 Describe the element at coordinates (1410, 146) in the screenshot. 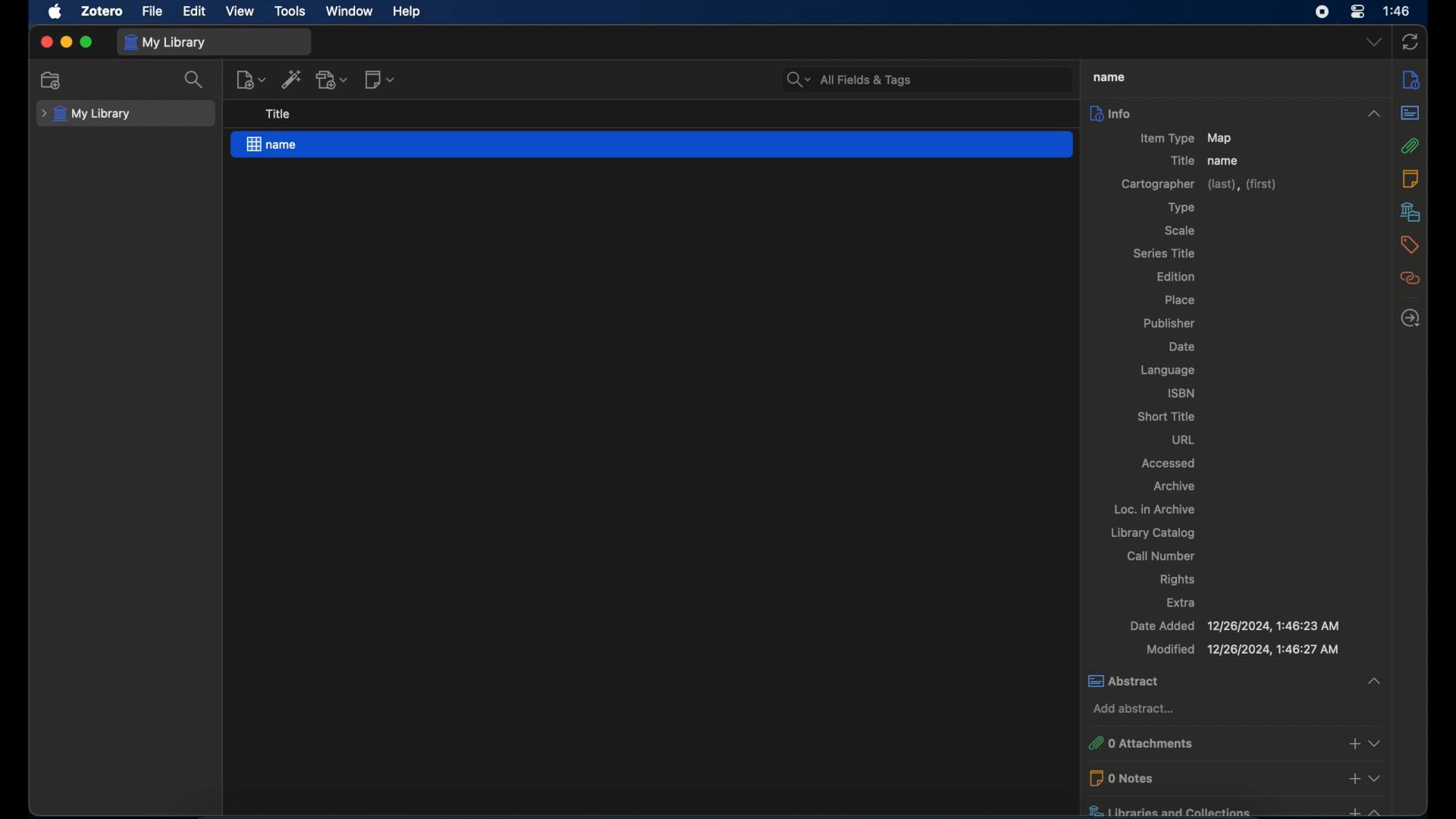

I see `attachments` at that location.